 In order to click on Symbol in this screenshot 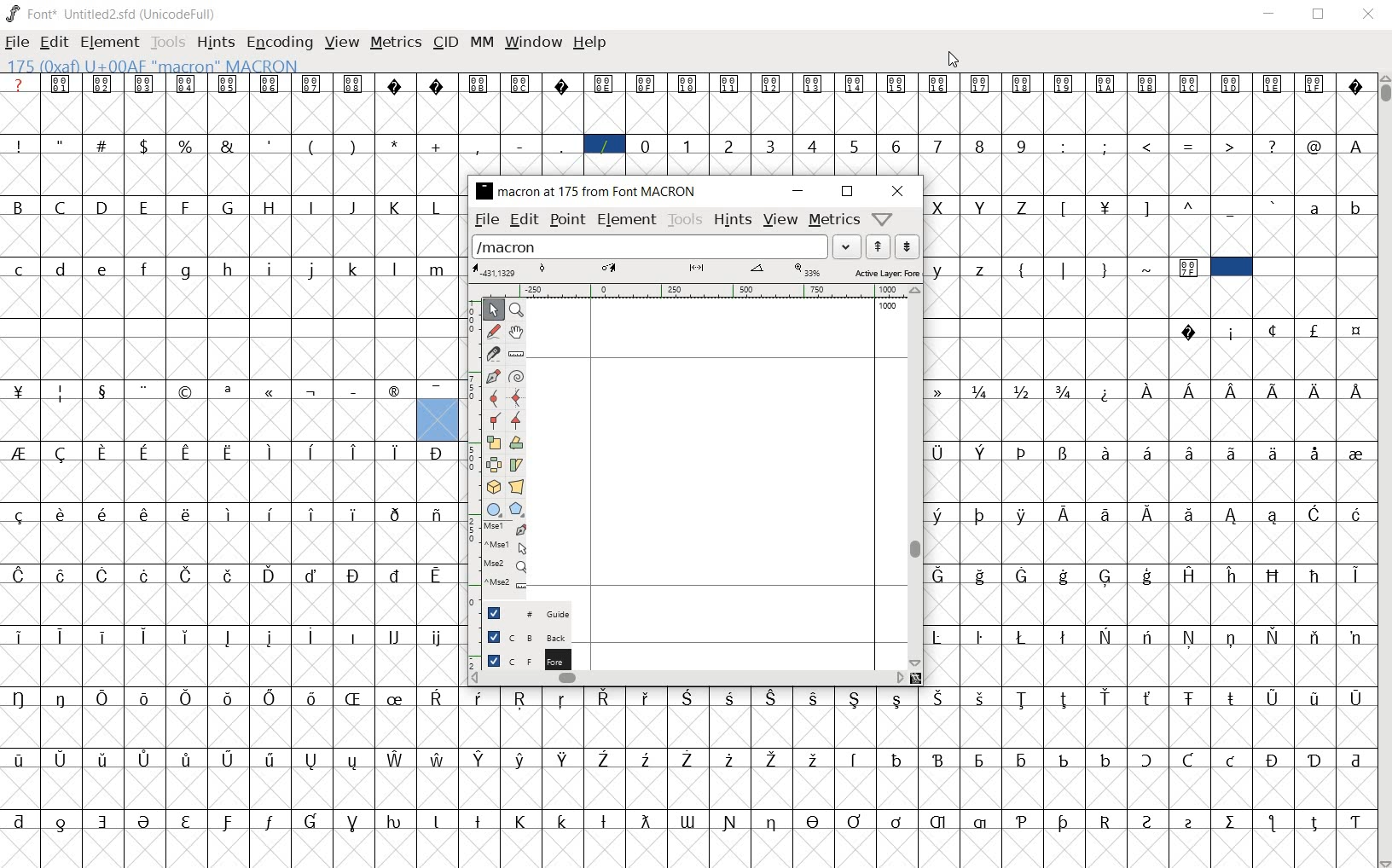, I will do `click(816, 697)`.